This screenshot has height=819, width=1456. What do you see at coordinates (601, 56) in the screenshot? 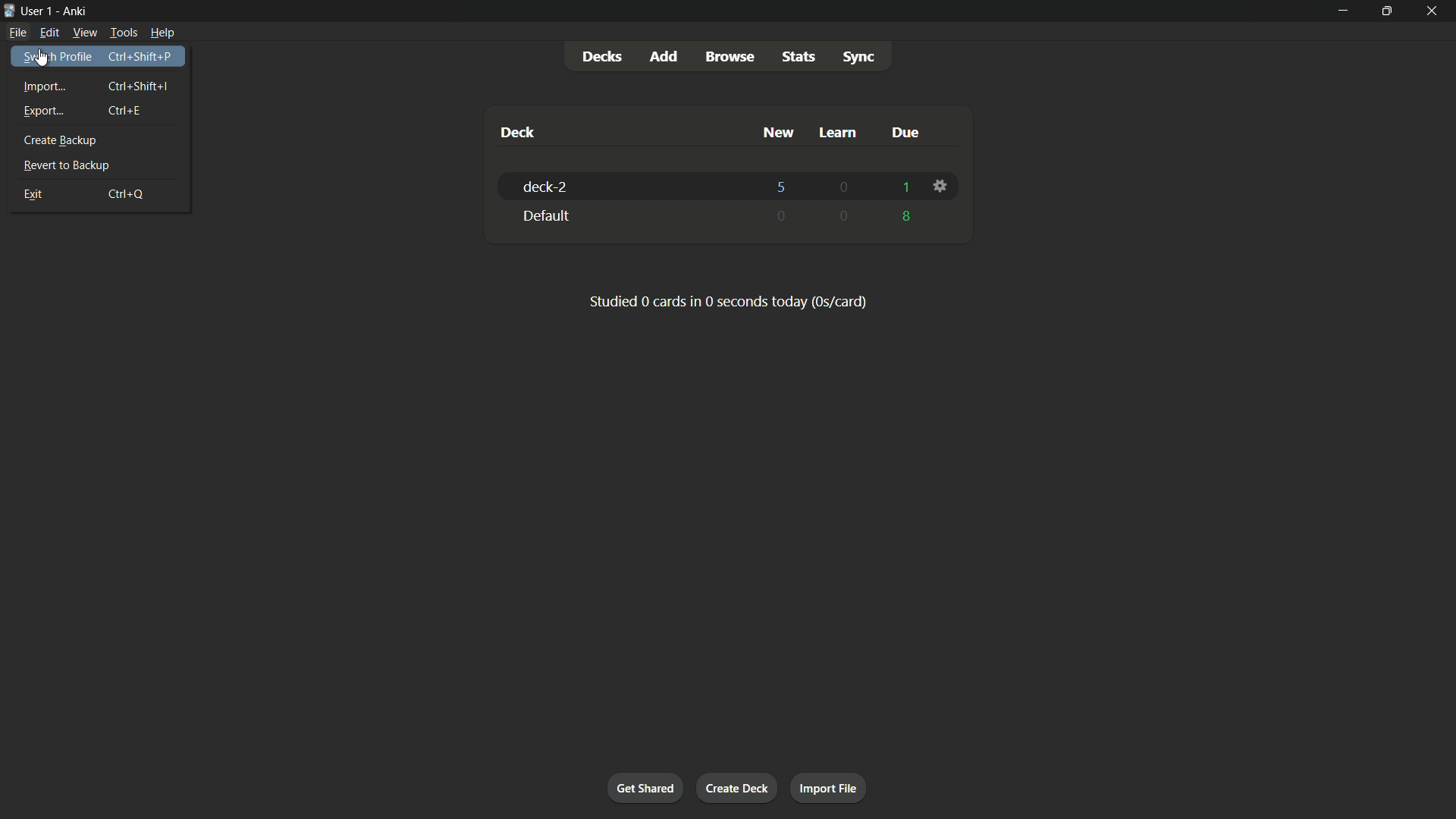
I see `Decks` at bounding box center [601, 56].